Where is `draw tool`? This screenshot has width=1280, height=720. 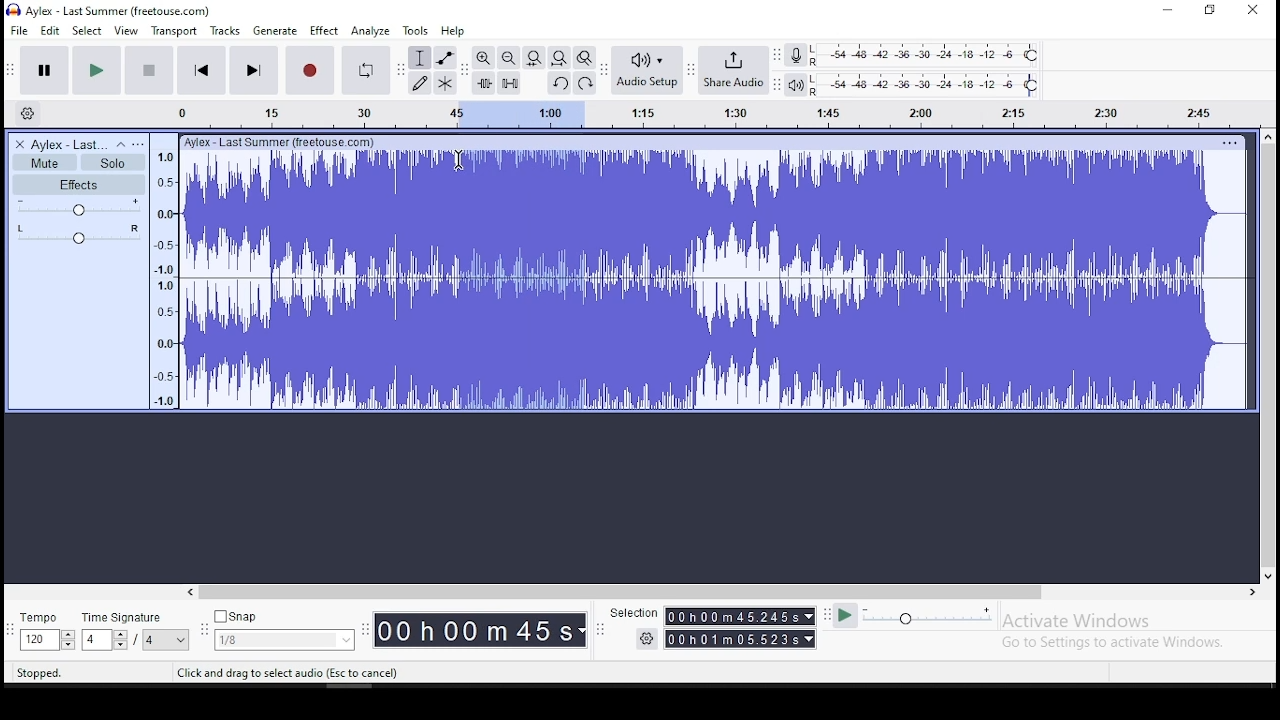
draw tool is located at coordinates (418, 83).